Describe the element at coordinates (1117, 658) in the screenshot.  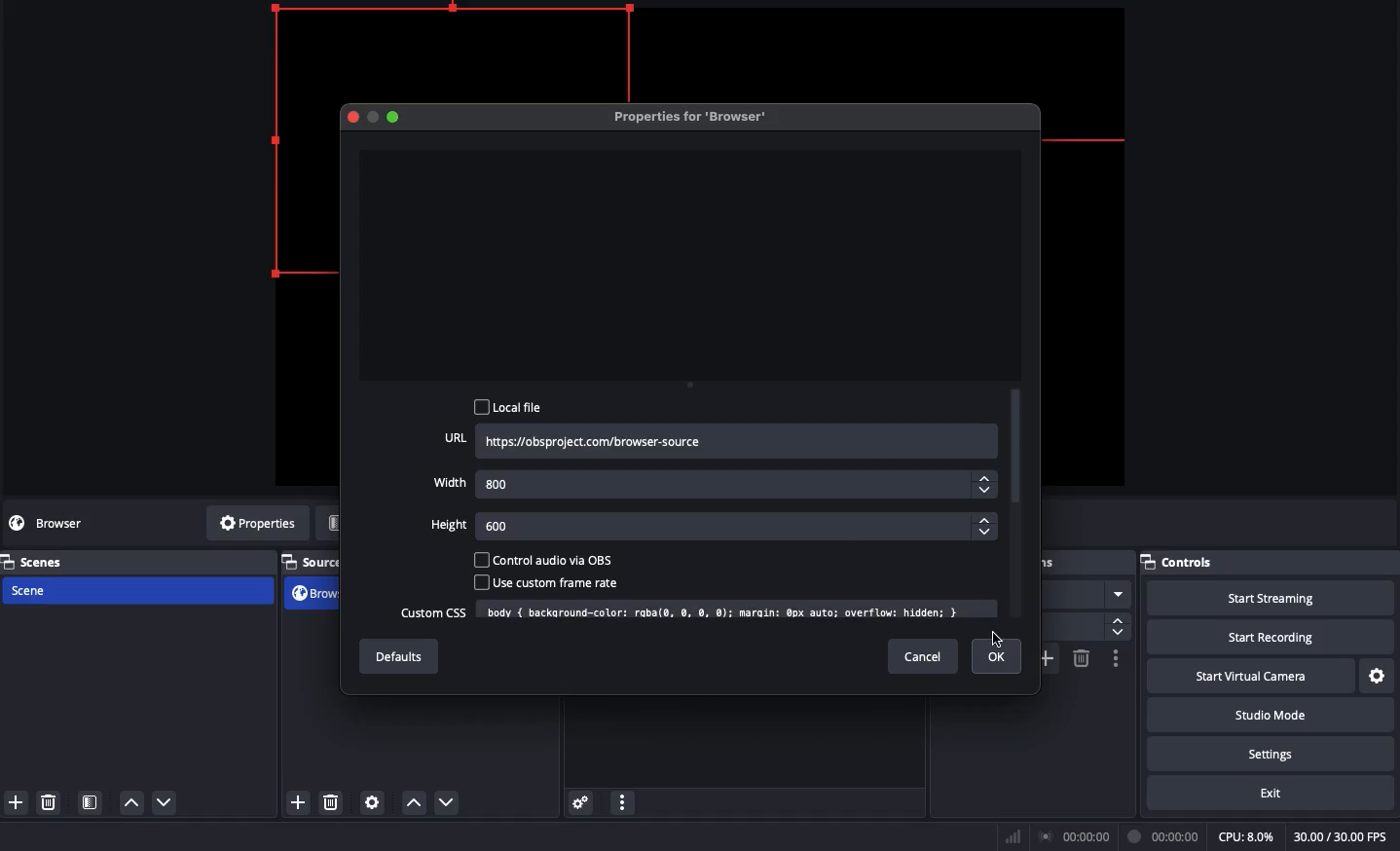
I see `Options` at that location.